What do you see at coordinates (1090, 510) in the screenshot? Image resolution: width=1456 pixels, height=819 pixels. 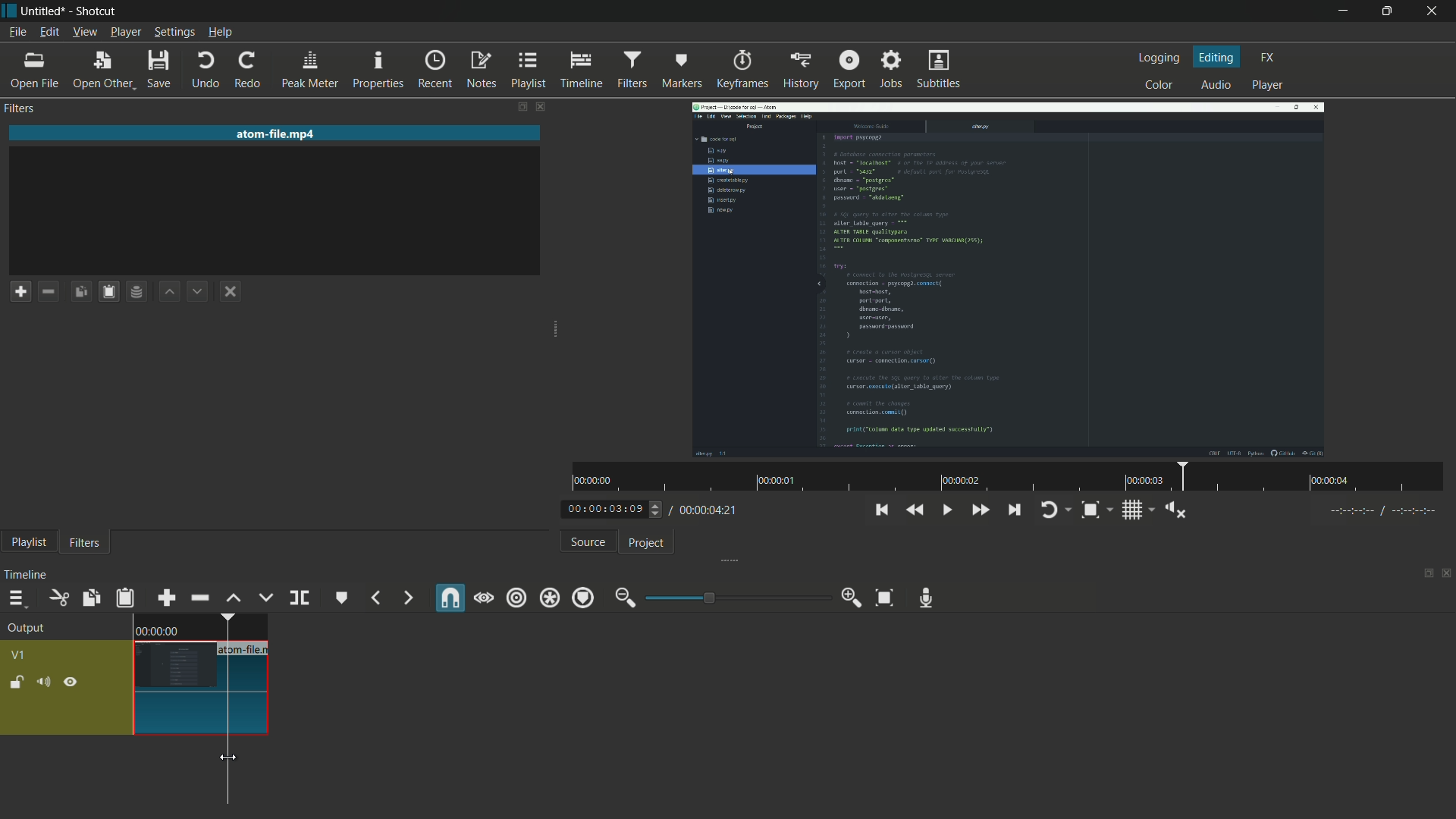 I see `toggle zoom` at bounding box center [1090, 510].